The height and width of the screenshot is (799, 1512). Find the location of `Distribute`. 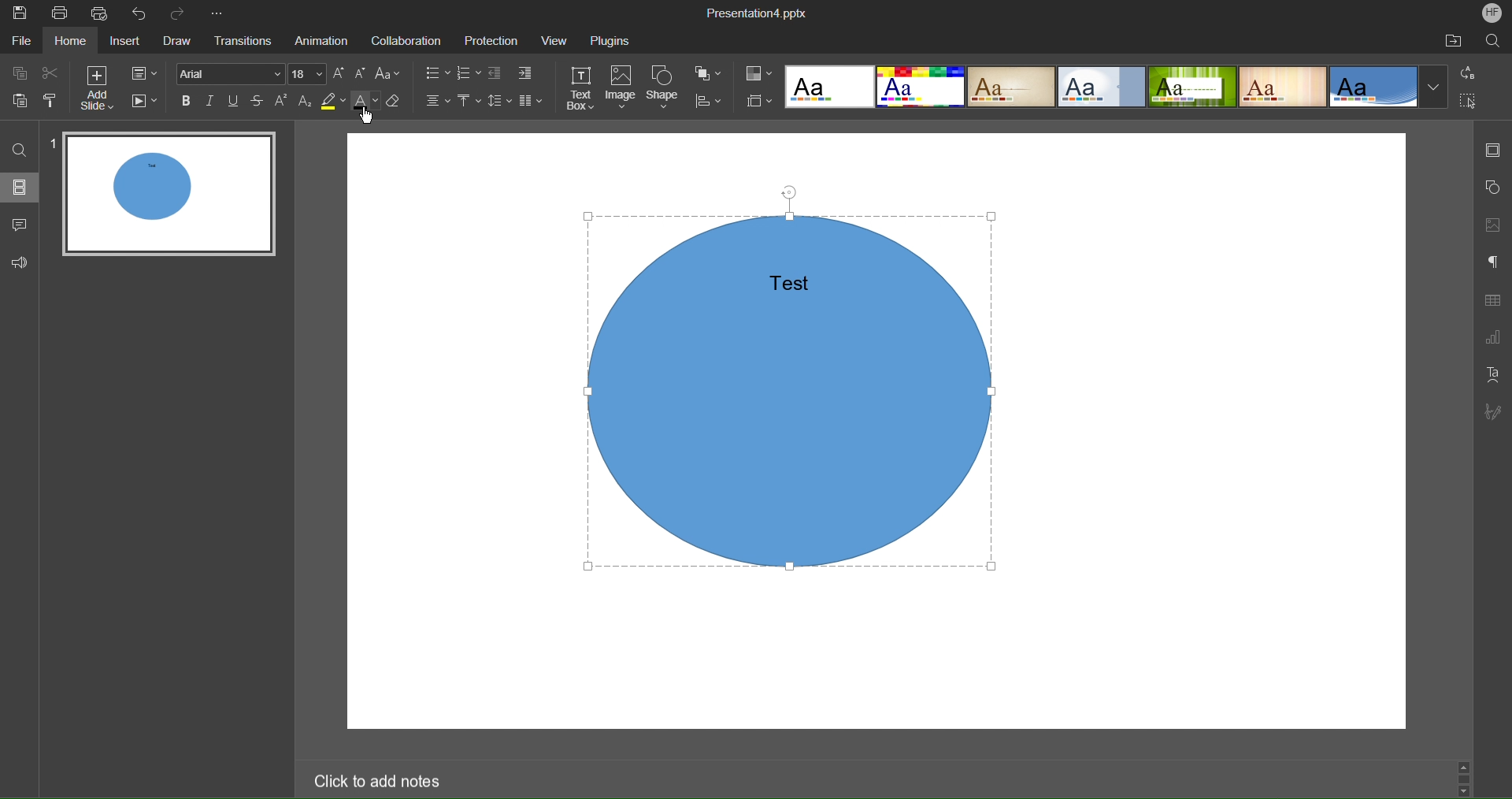

Distribute is located at coordinates (706, 99).